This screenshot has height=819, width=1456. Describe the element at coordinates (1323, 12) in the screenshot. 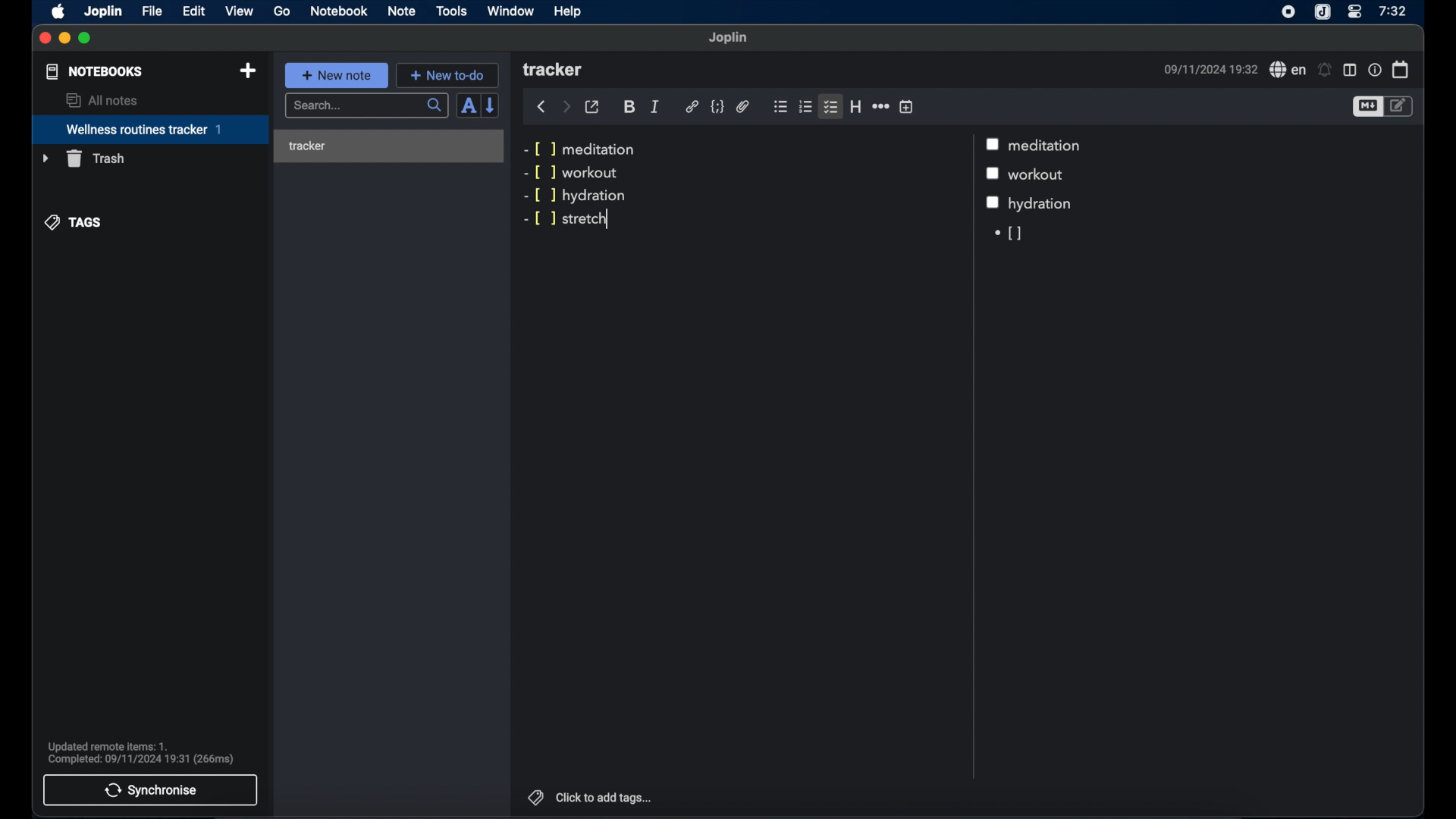

I see `joplin icon` at that location.